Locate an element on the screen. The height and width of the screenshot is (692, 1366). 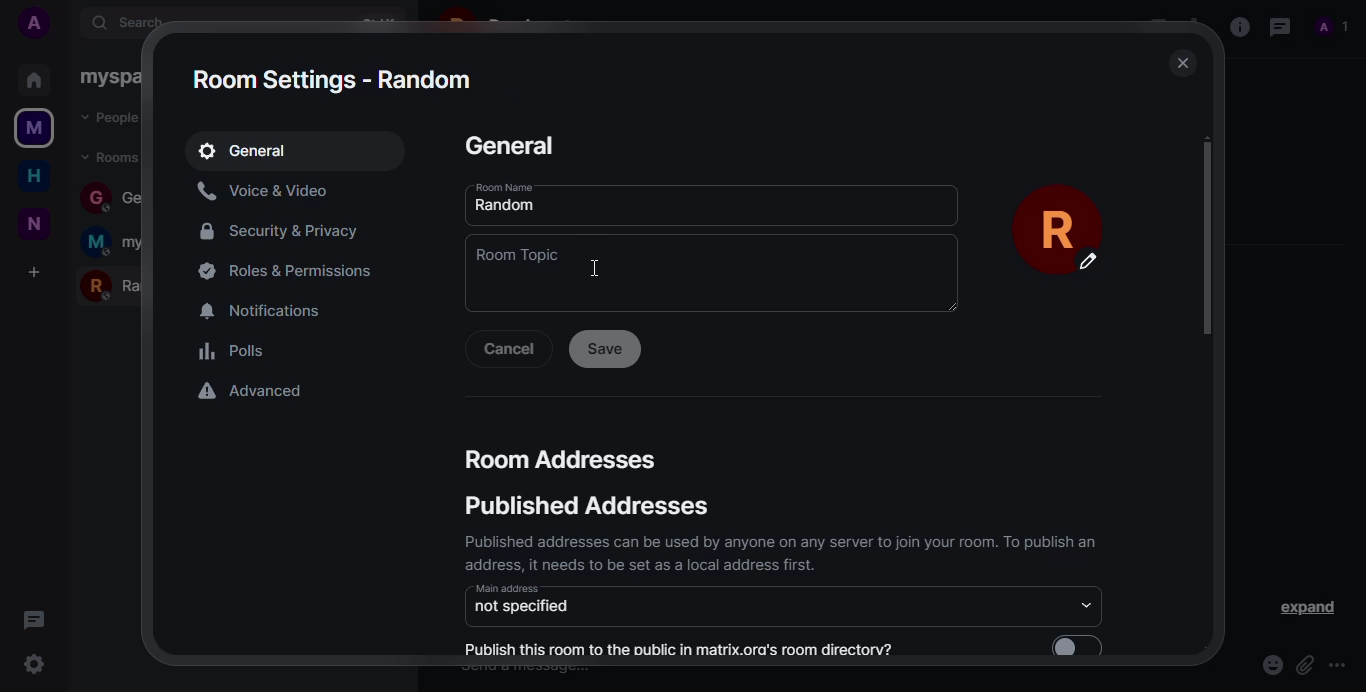
settings is located at coordinates (34, 663).